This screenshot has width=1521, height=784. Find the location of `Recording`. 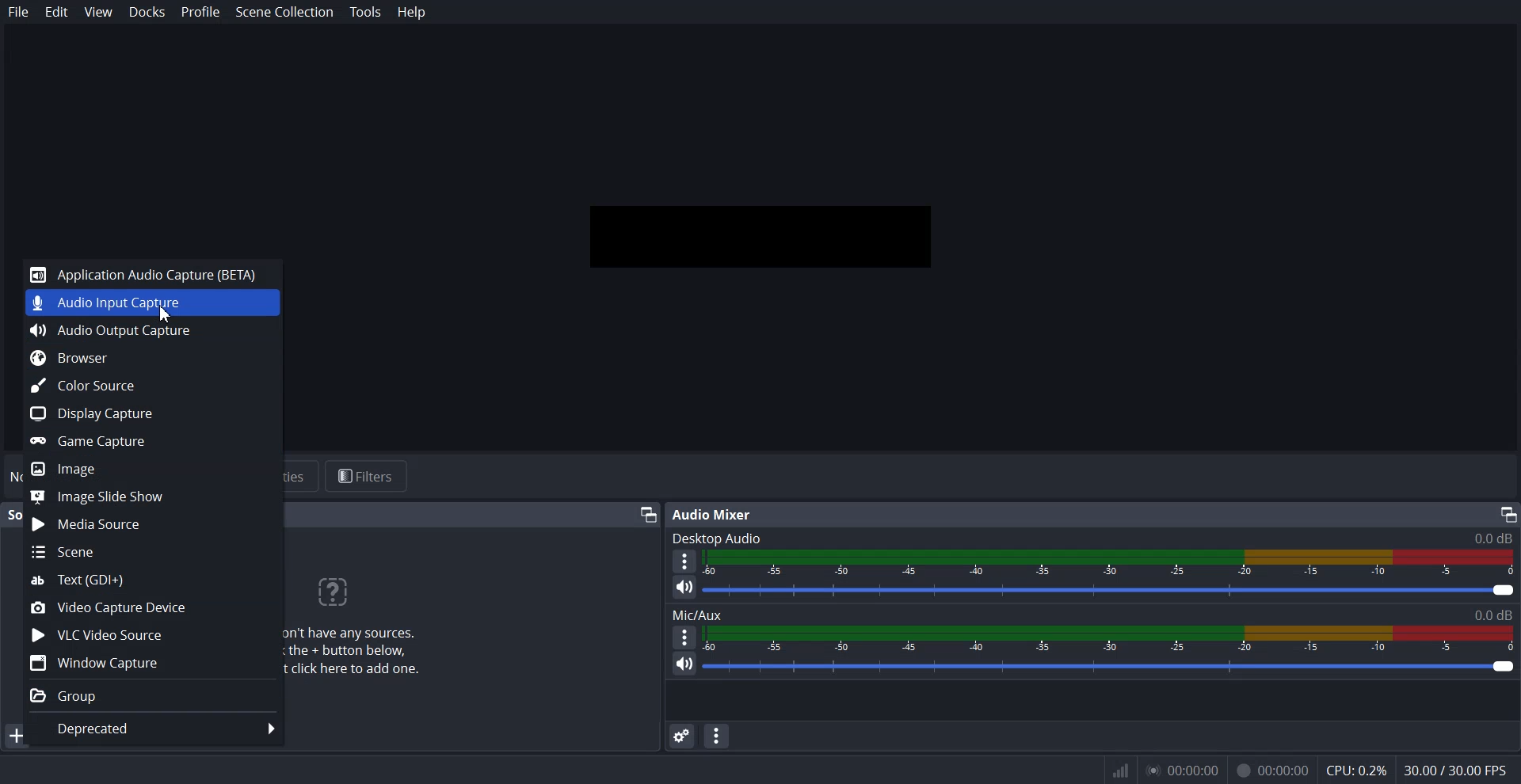

Recording is located at coordinates (1272, 771).